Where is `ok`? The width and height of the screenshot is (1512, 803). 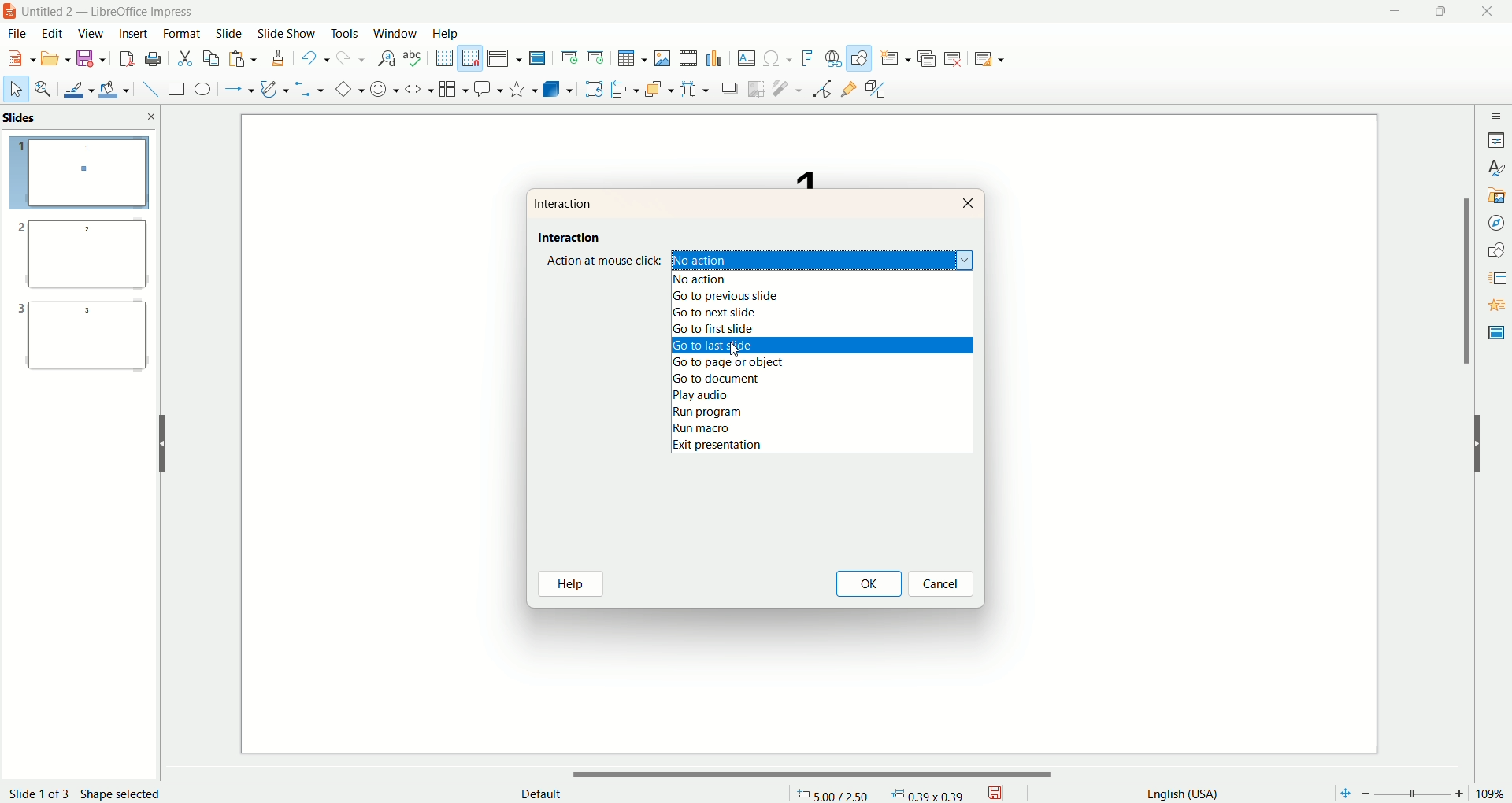
ok is located at coordinates (872, 584).